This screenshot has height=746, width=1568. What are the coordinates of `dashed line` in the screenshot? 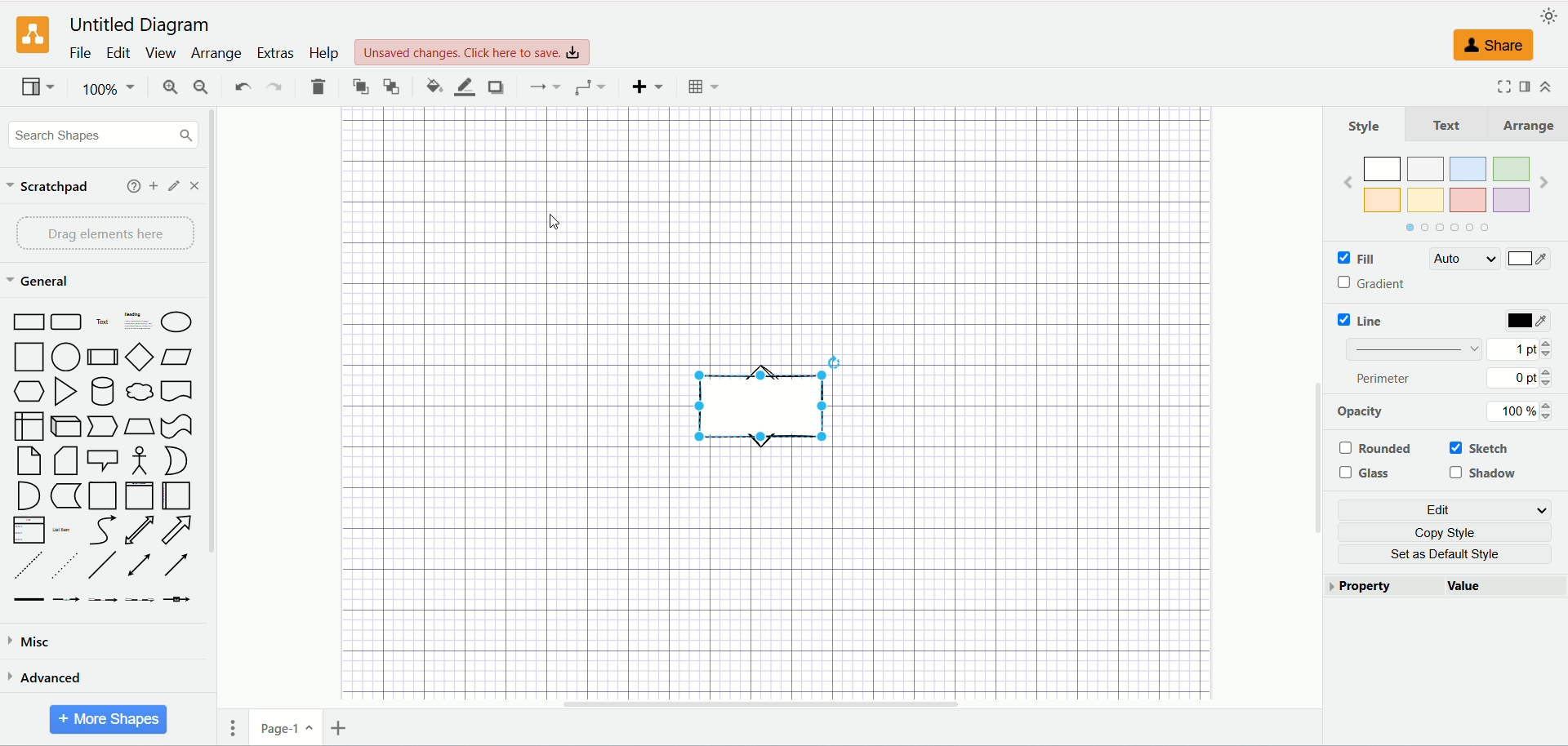 It's located at (23, 564).